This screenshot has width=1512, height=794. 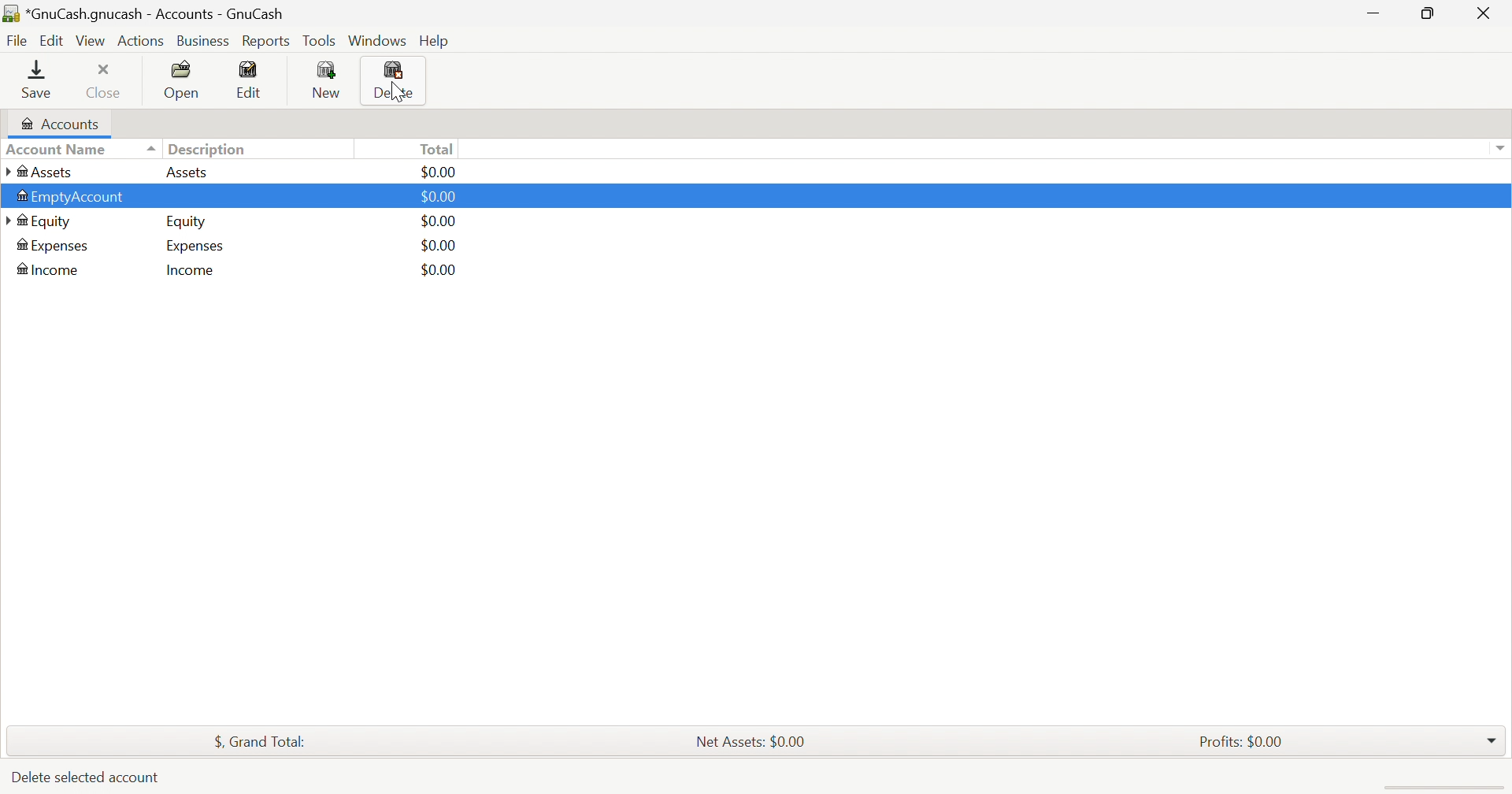 What do you see at coordinates (440, 173) in the screenshot?
I see `$0.00` at bounding box center [440, 173].